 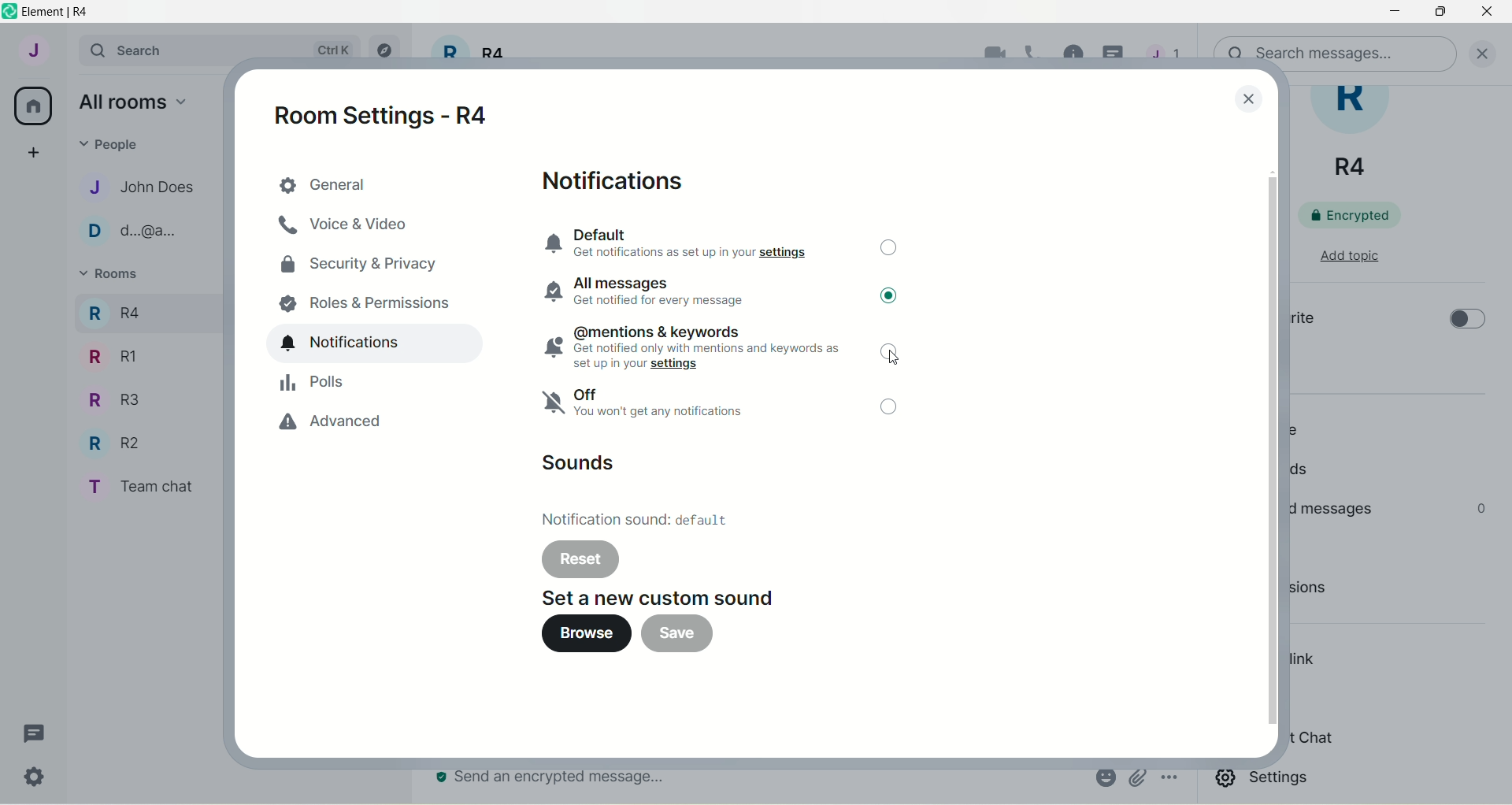 I want to click on R R4, so click(x=113, y=310).